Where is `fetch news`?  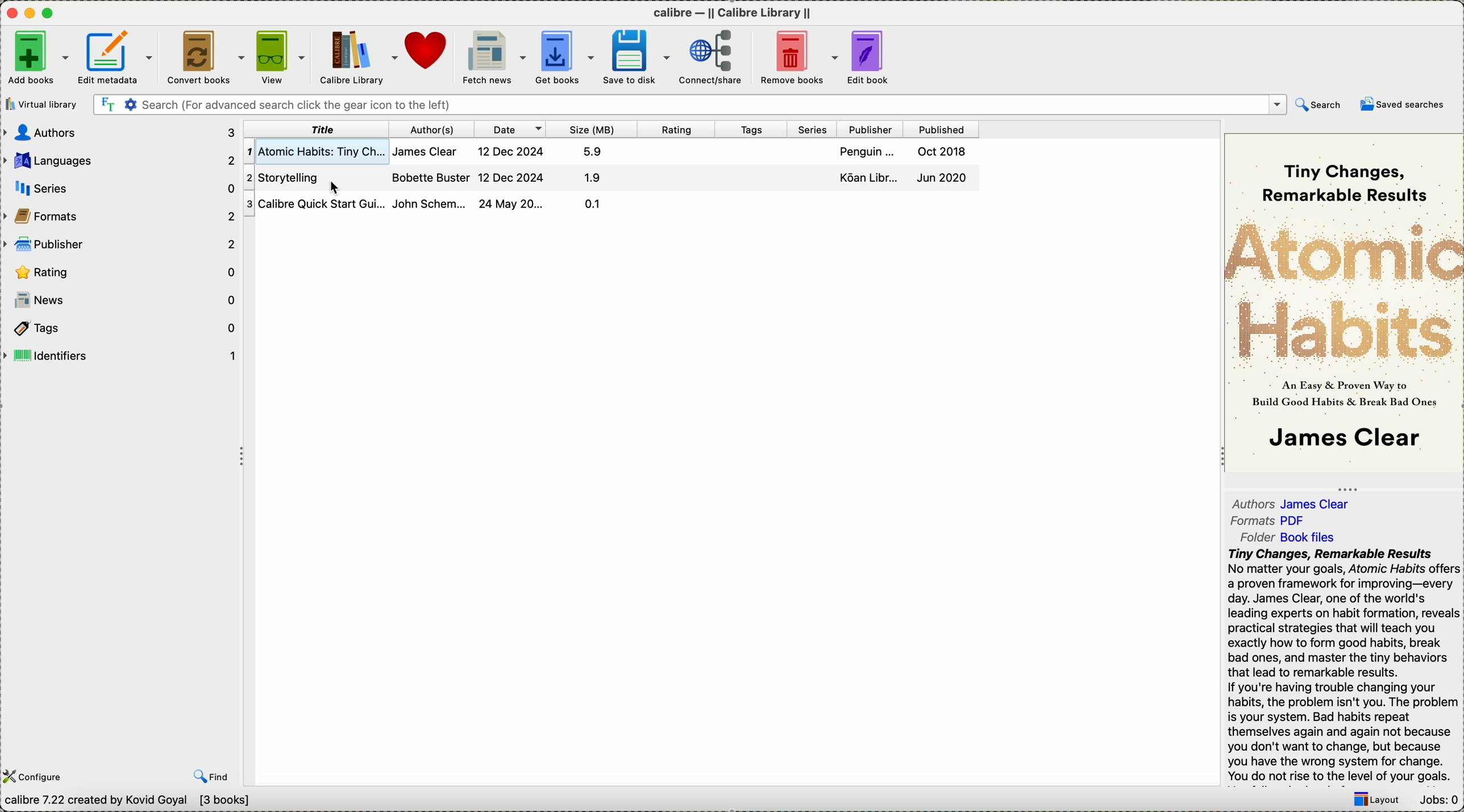 fetch news is located at coordinates (492, 57).